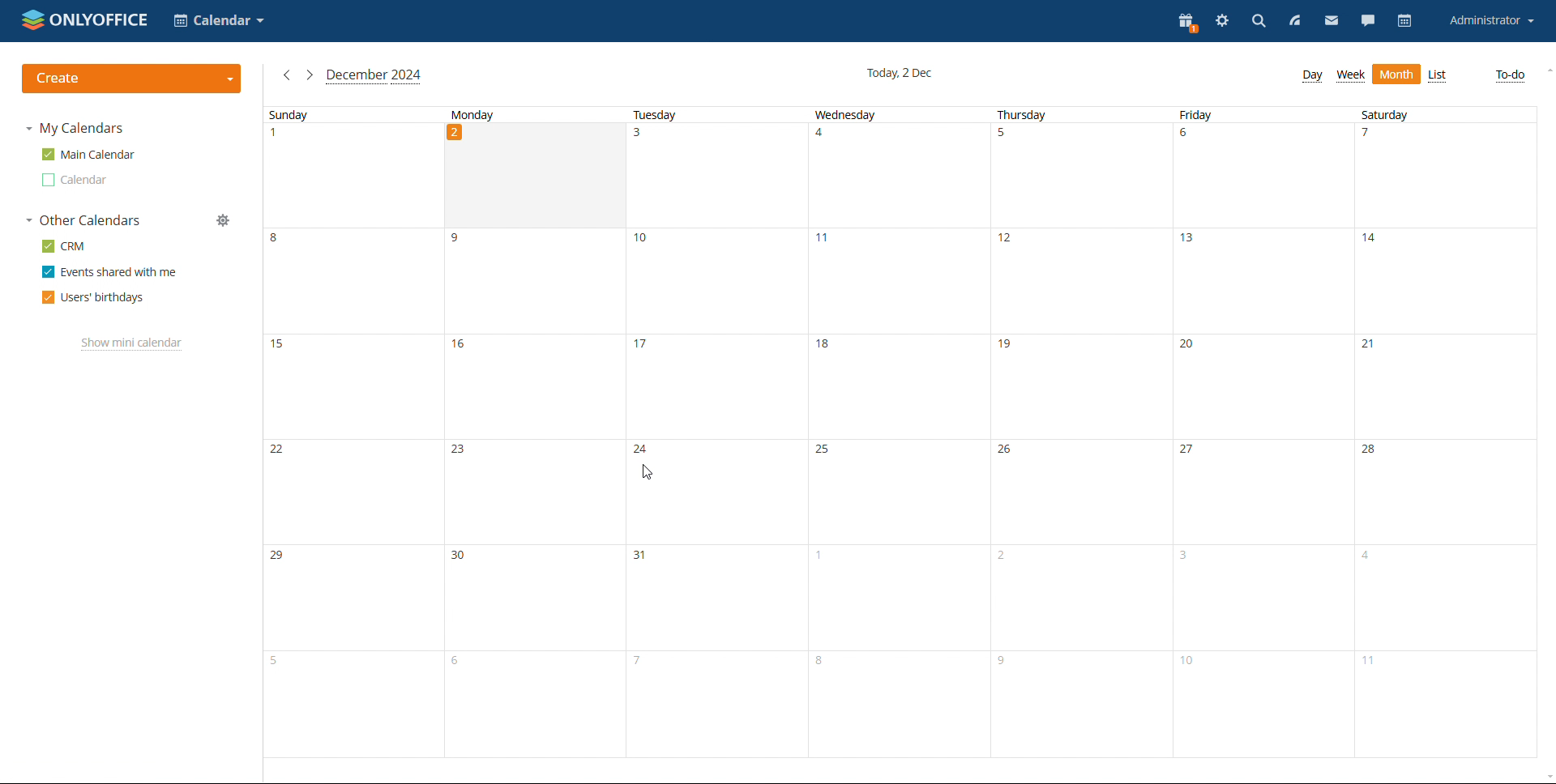  Describe the element at coordinates (459, 665) in the screenshot. I see `6` at that location.